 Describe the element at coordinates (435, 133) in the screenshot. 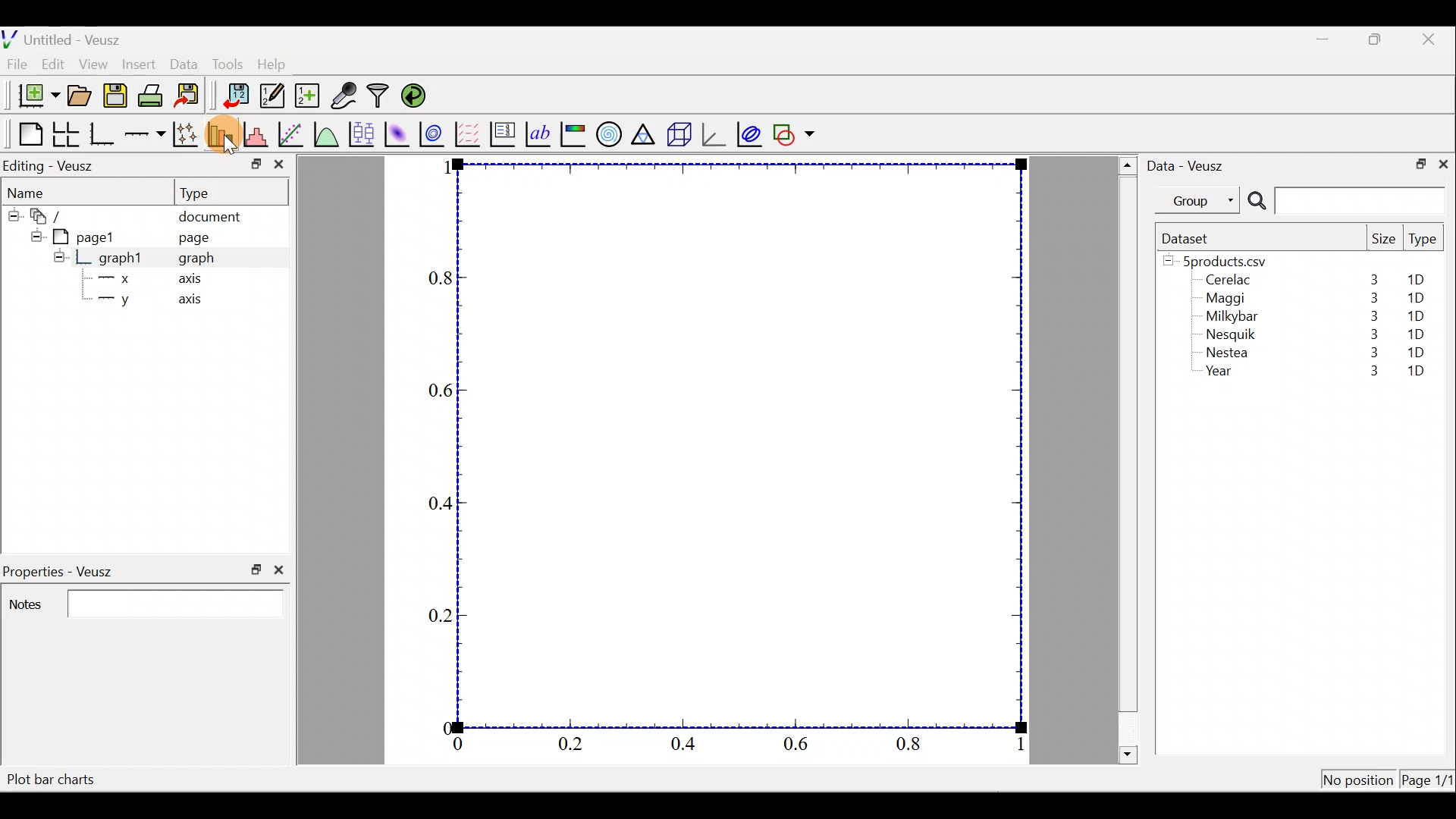

I see `Plot a 2d dataset as contours` at that location.